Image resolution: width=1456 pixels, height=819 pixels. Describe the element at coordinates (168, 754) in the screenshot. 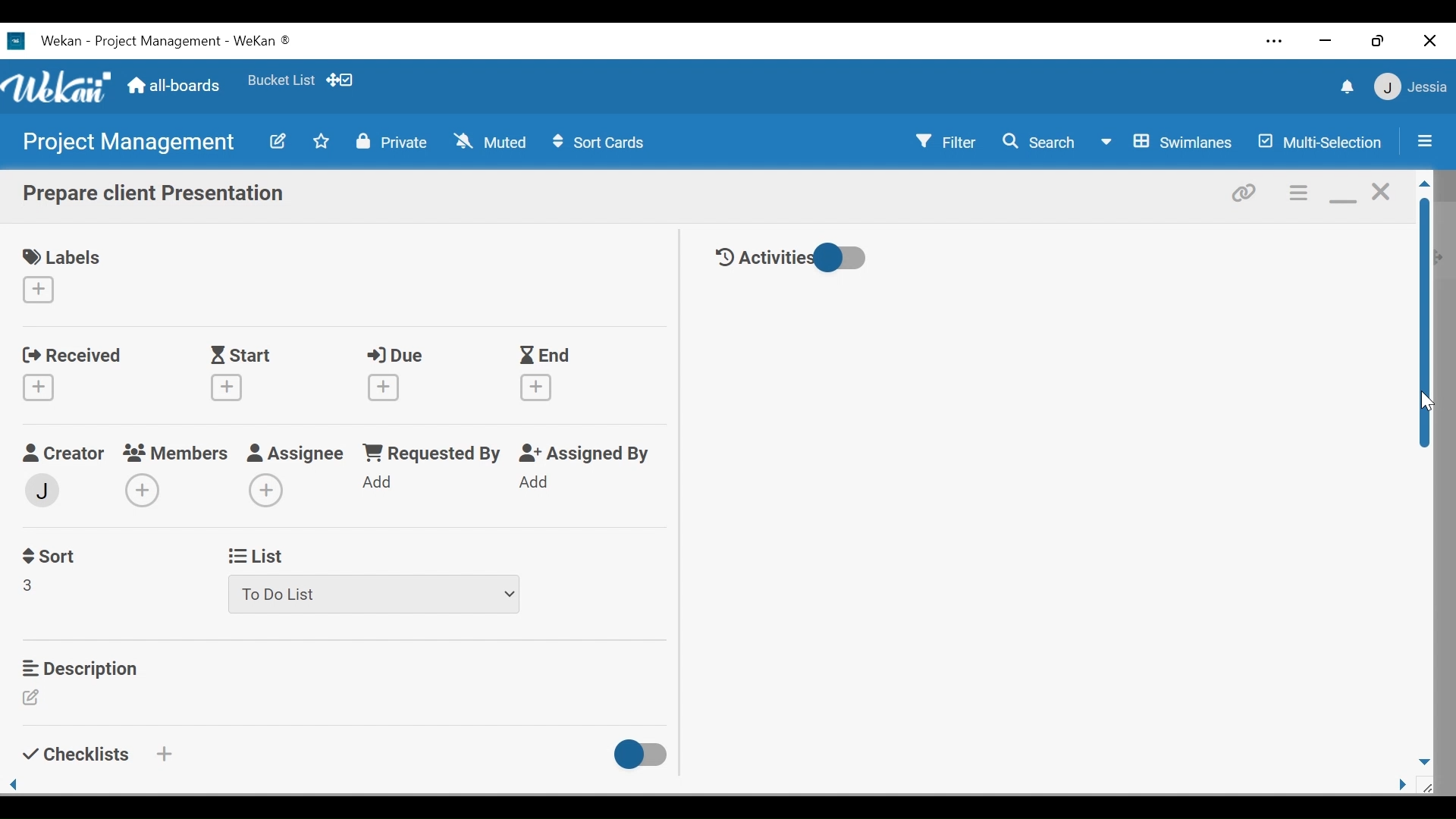

I see `Create a checklist` at that location.